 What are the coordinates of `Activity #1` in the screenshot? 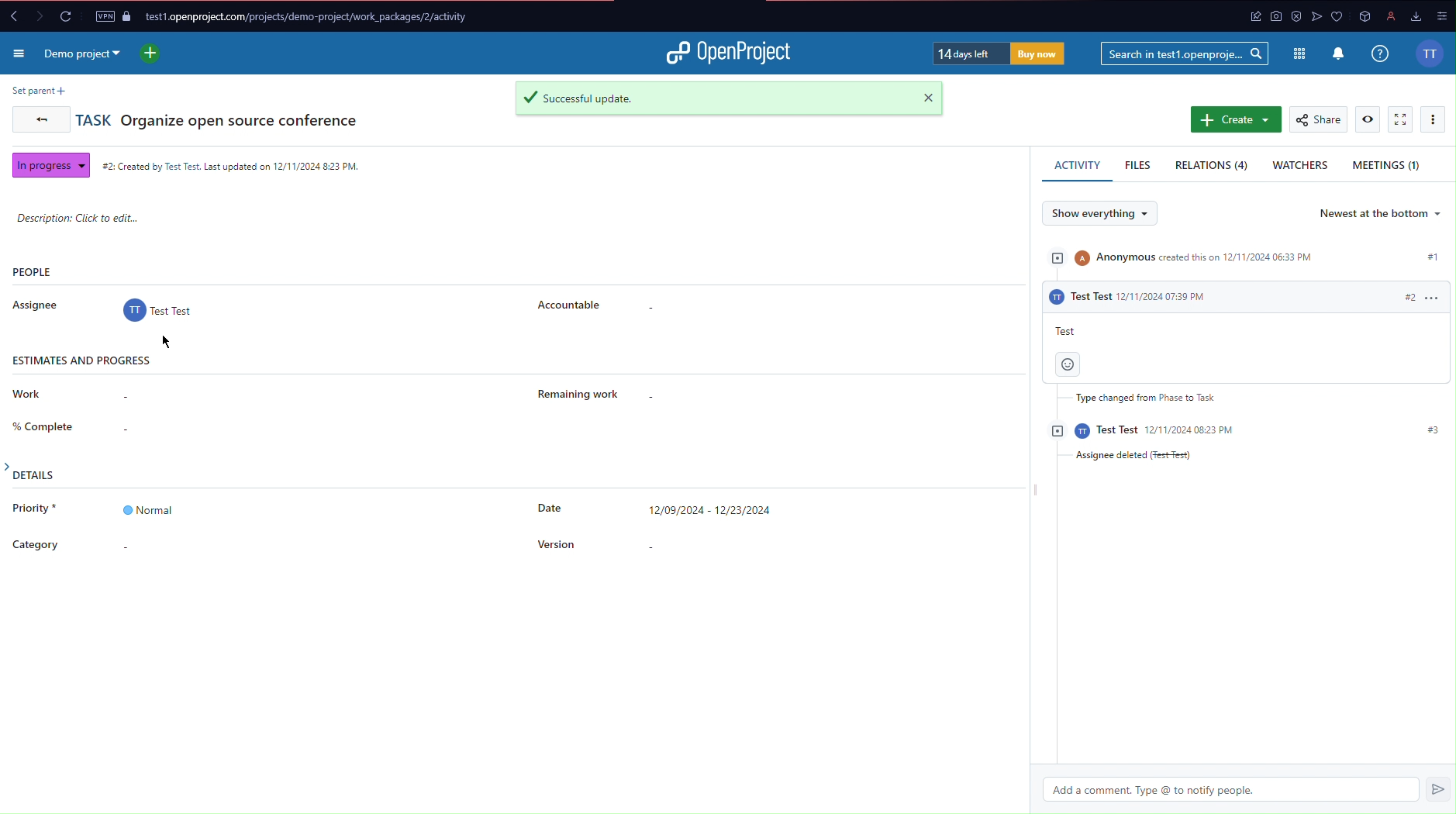 It's located at (1175, 254).